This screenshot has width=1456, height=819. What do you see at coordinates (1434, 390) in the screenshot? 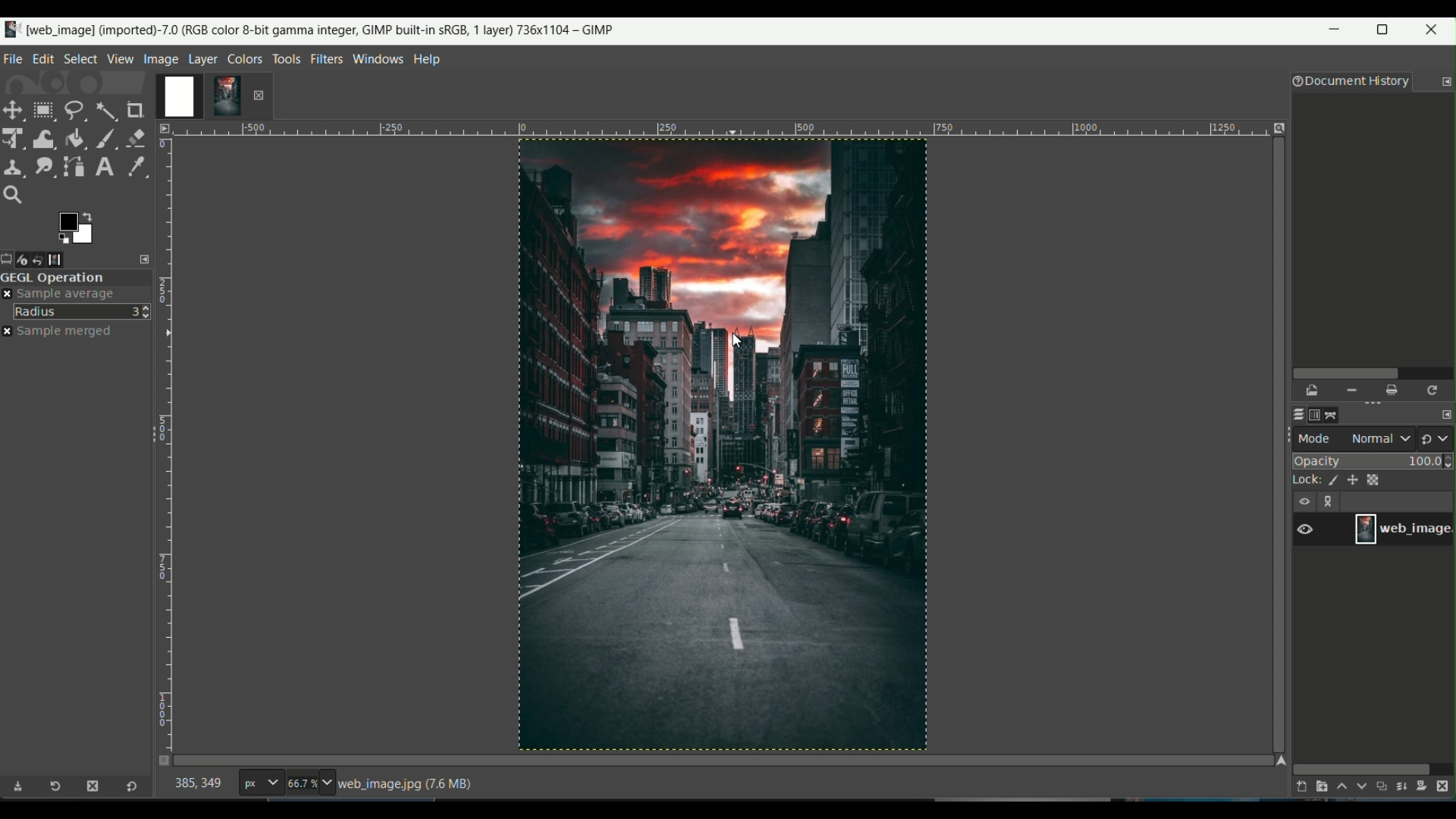
I see `recreate preview` at bounding box center [1434, 390].